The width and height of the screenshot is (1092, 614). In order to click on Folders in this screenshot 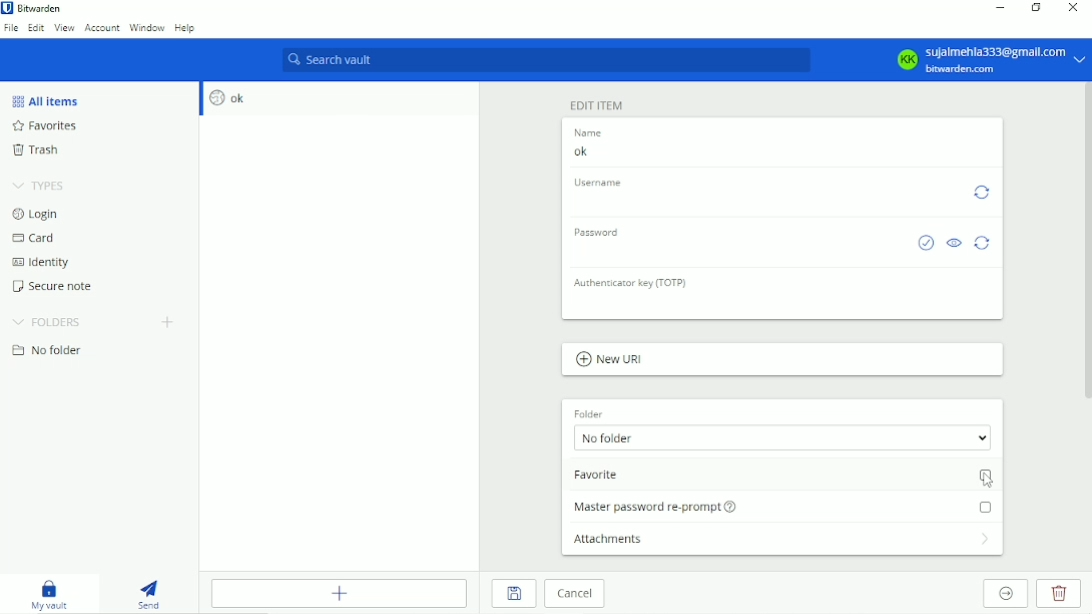, I will do `click(48, 322)`.